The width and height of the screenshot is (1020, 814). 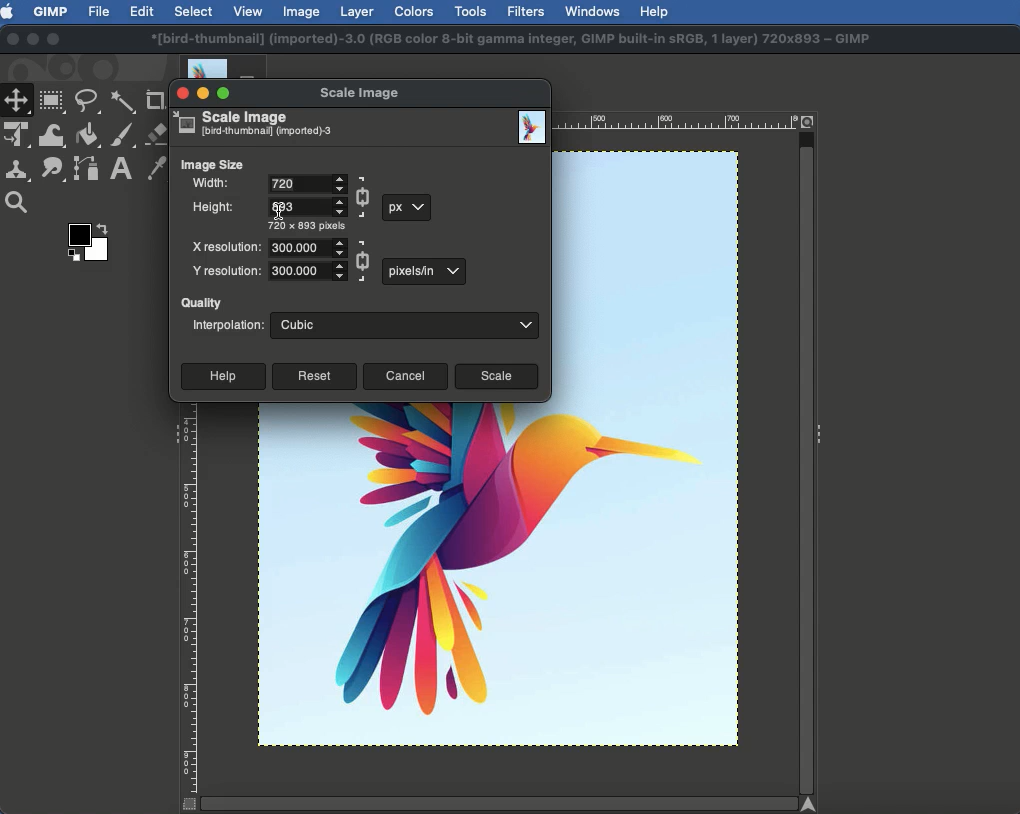 I want to click on px in, so click(x=422, y=272).